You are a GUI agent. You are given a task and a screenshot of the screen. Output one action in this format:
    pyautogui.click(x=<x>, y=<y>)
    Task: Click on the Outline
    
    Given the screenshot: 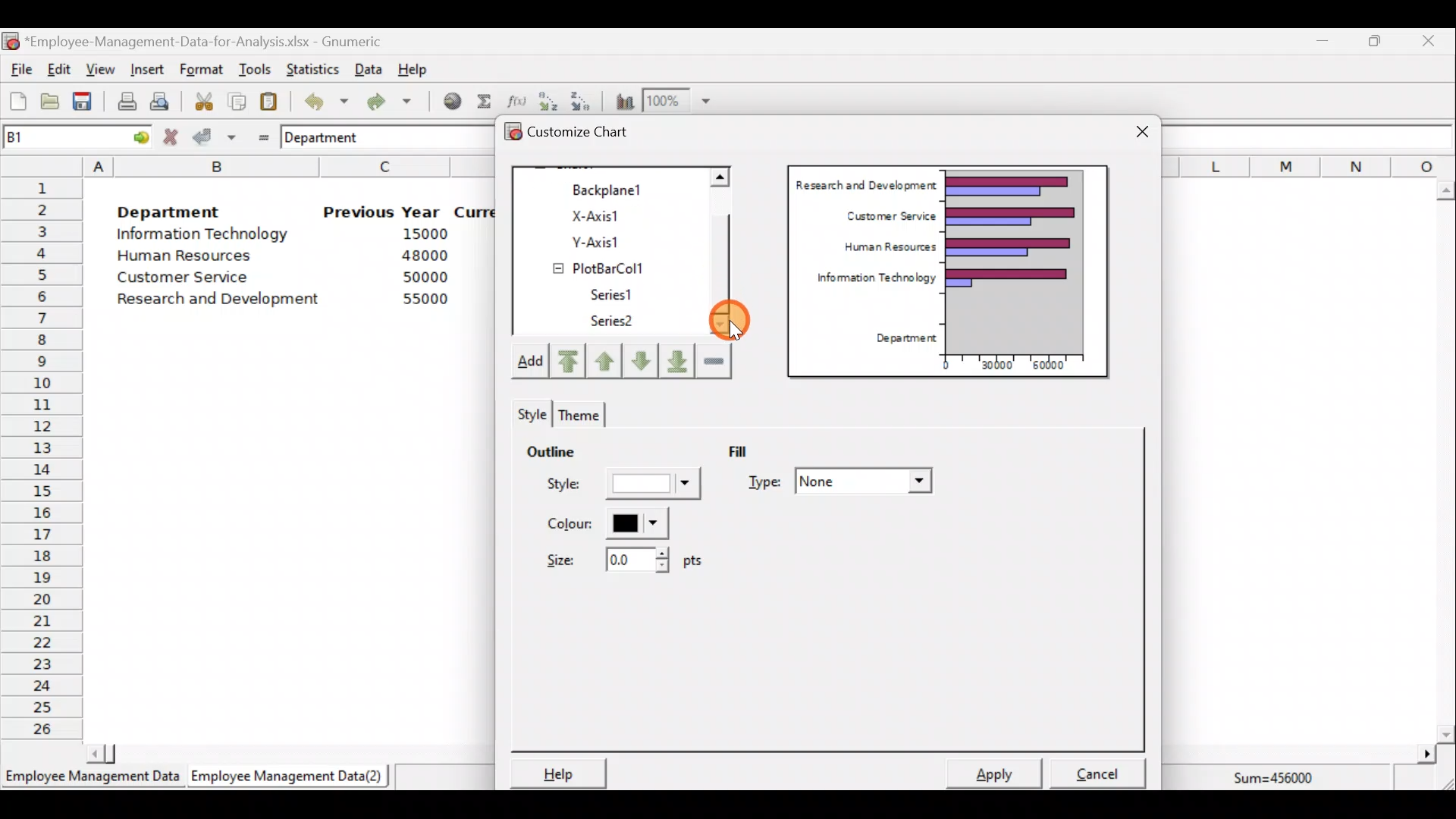 What is the action you would take?
    pyautogui.click(x=551, y=449)
    